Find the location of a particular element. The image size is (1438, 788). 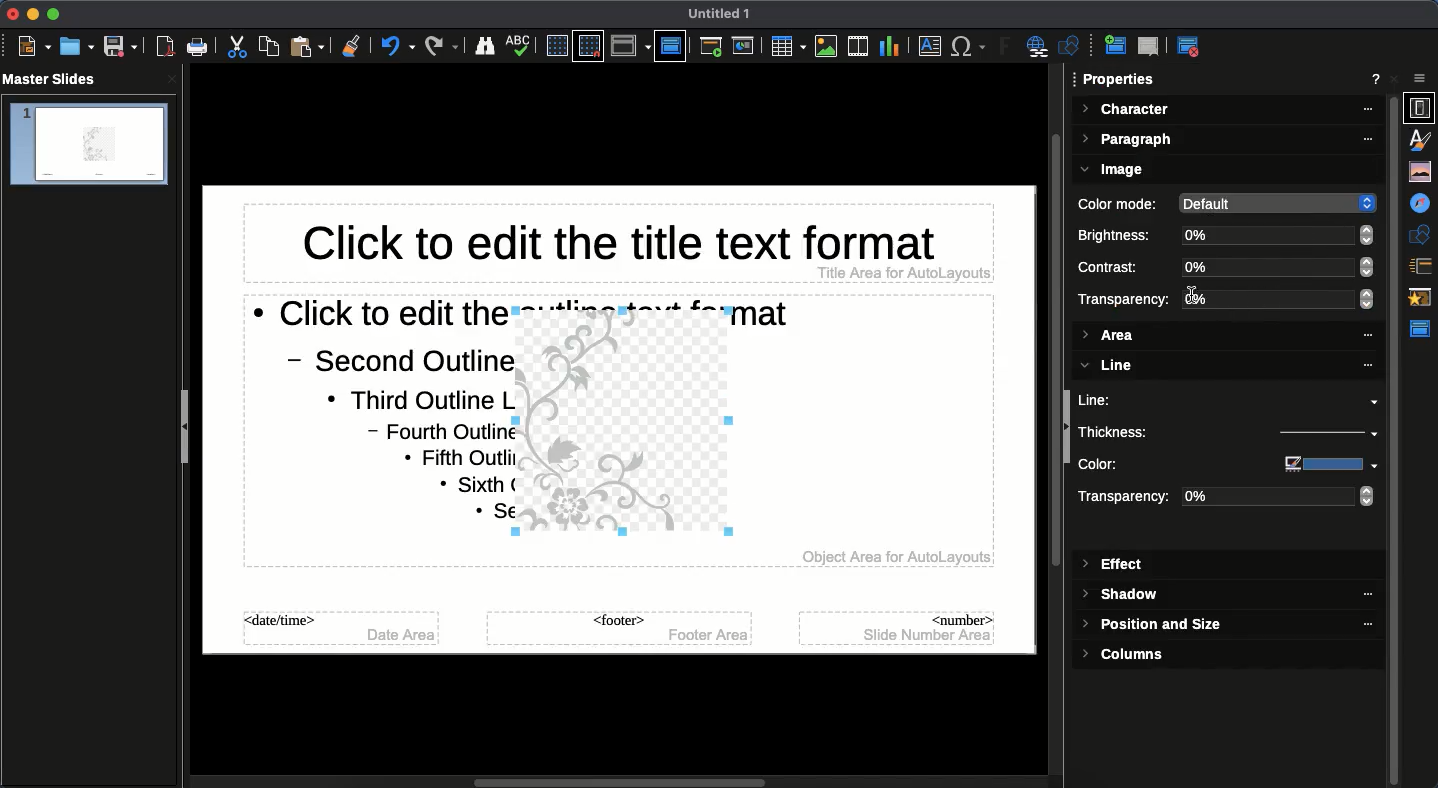

Transparency is located at coordinates (1127, 499).